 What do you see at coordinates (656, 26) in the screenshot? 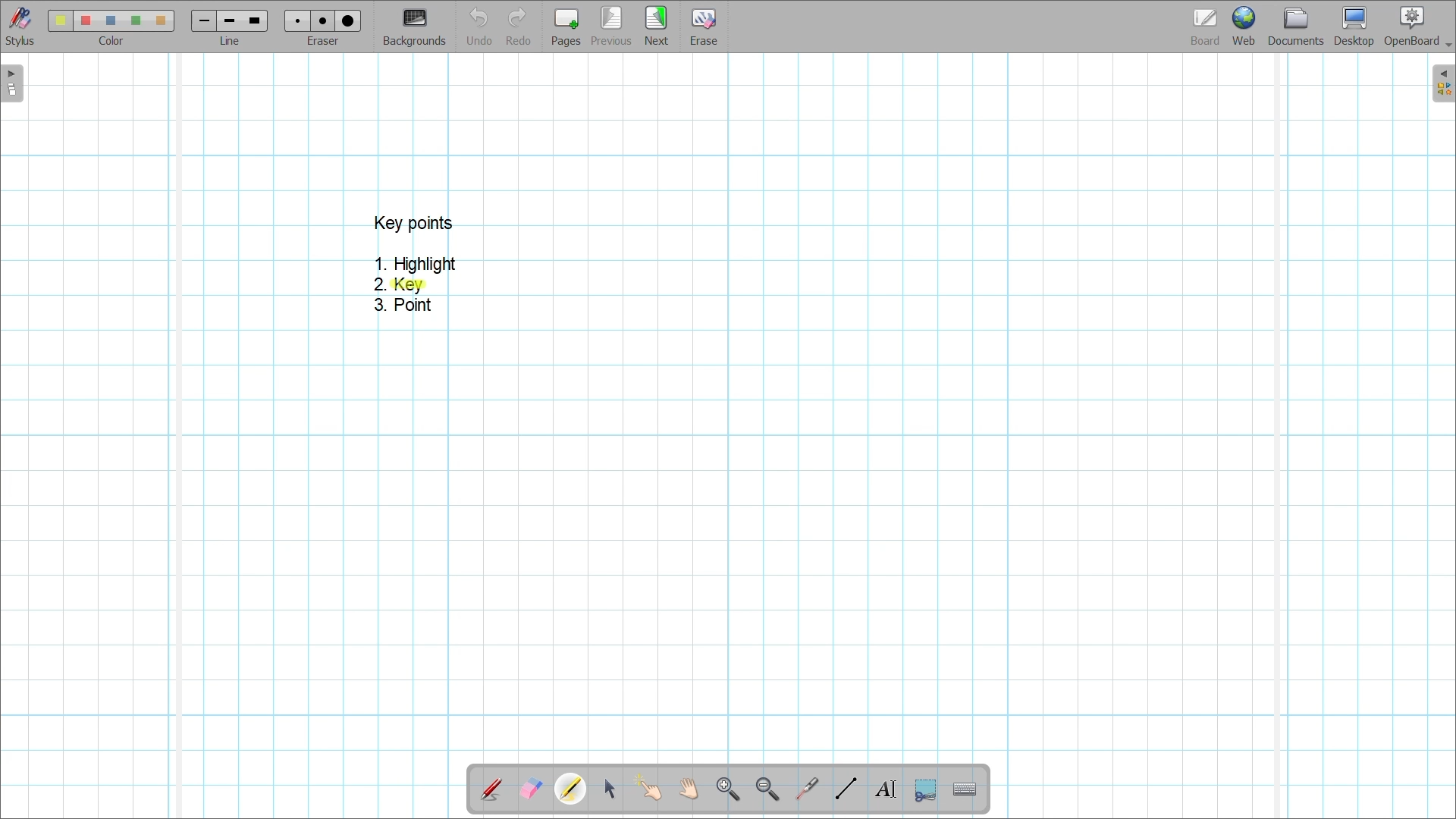
I see `Go to next page` at bounding box center [656, 26].